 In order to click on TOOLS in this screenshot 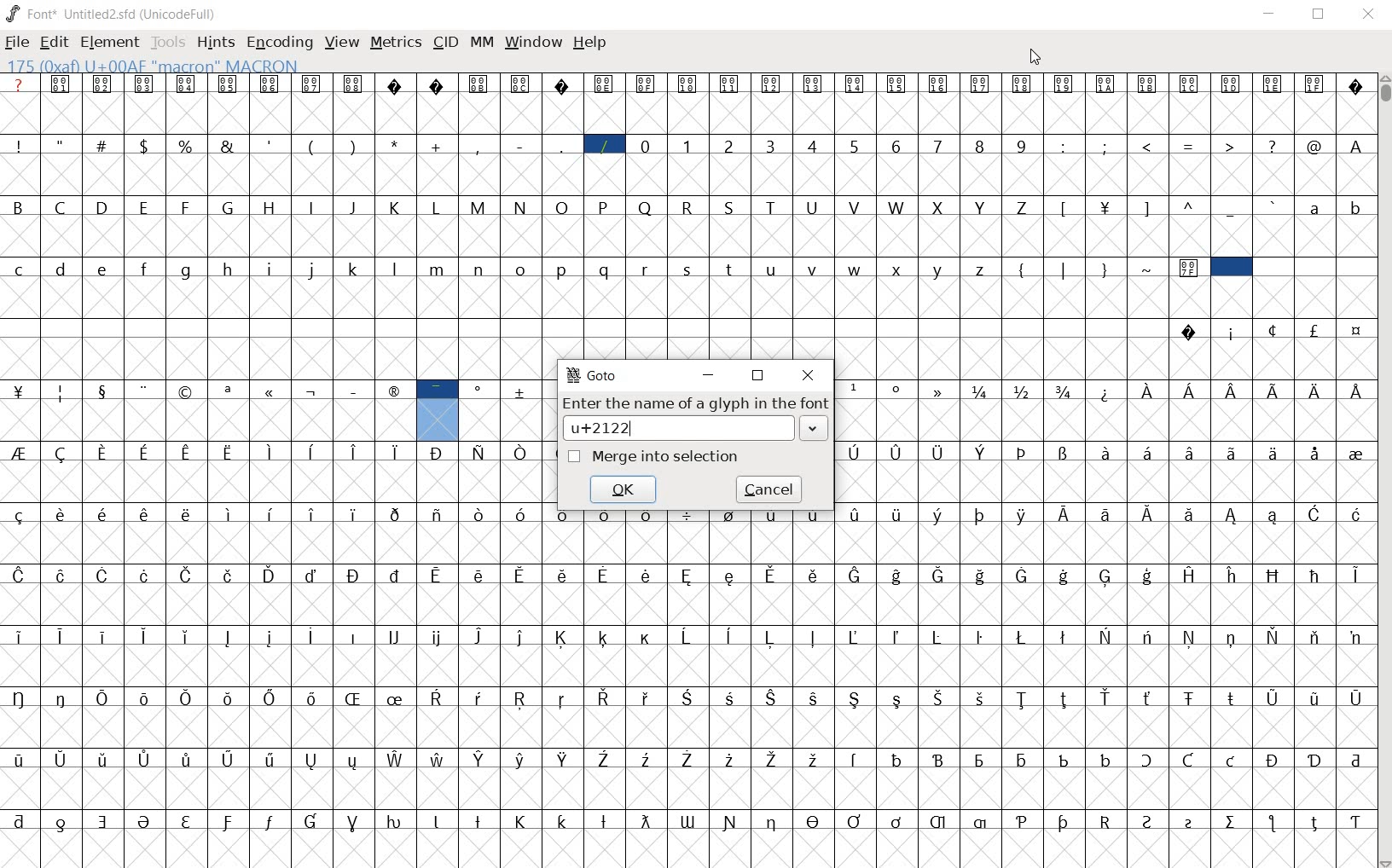, I will do `click(167, 42)`.